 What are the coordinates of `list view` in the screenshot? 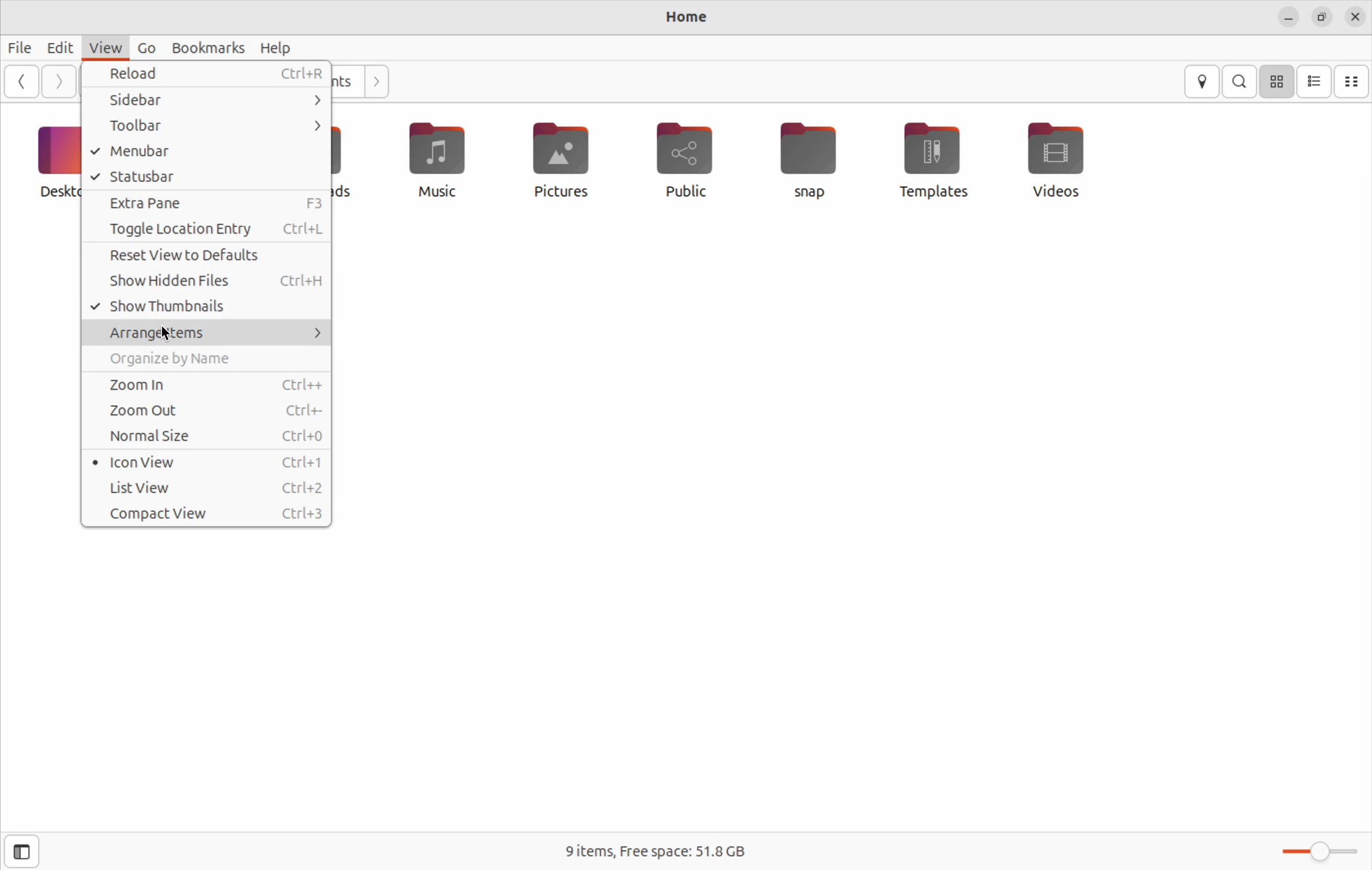 It's located at (1314, 82).